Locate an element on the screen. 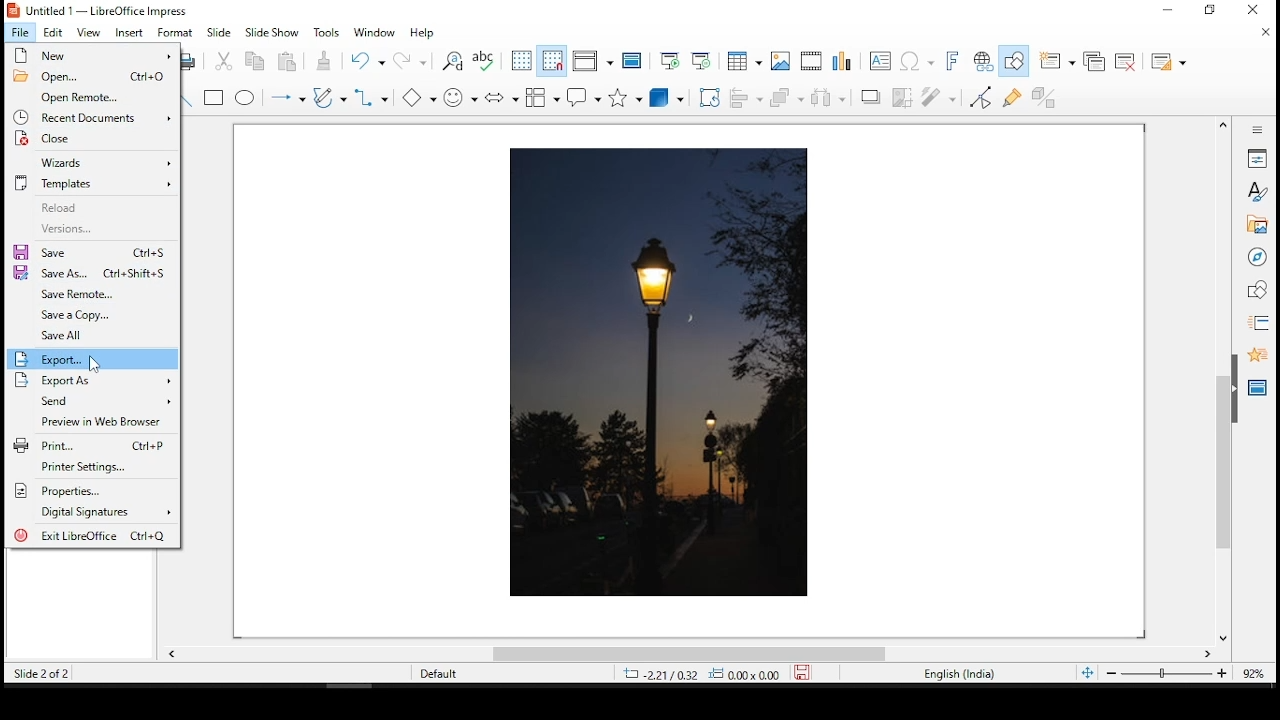 Image resolution: width=1280 pixels, height=720 pixels. snap to grids is located at coordinates (551, 61).